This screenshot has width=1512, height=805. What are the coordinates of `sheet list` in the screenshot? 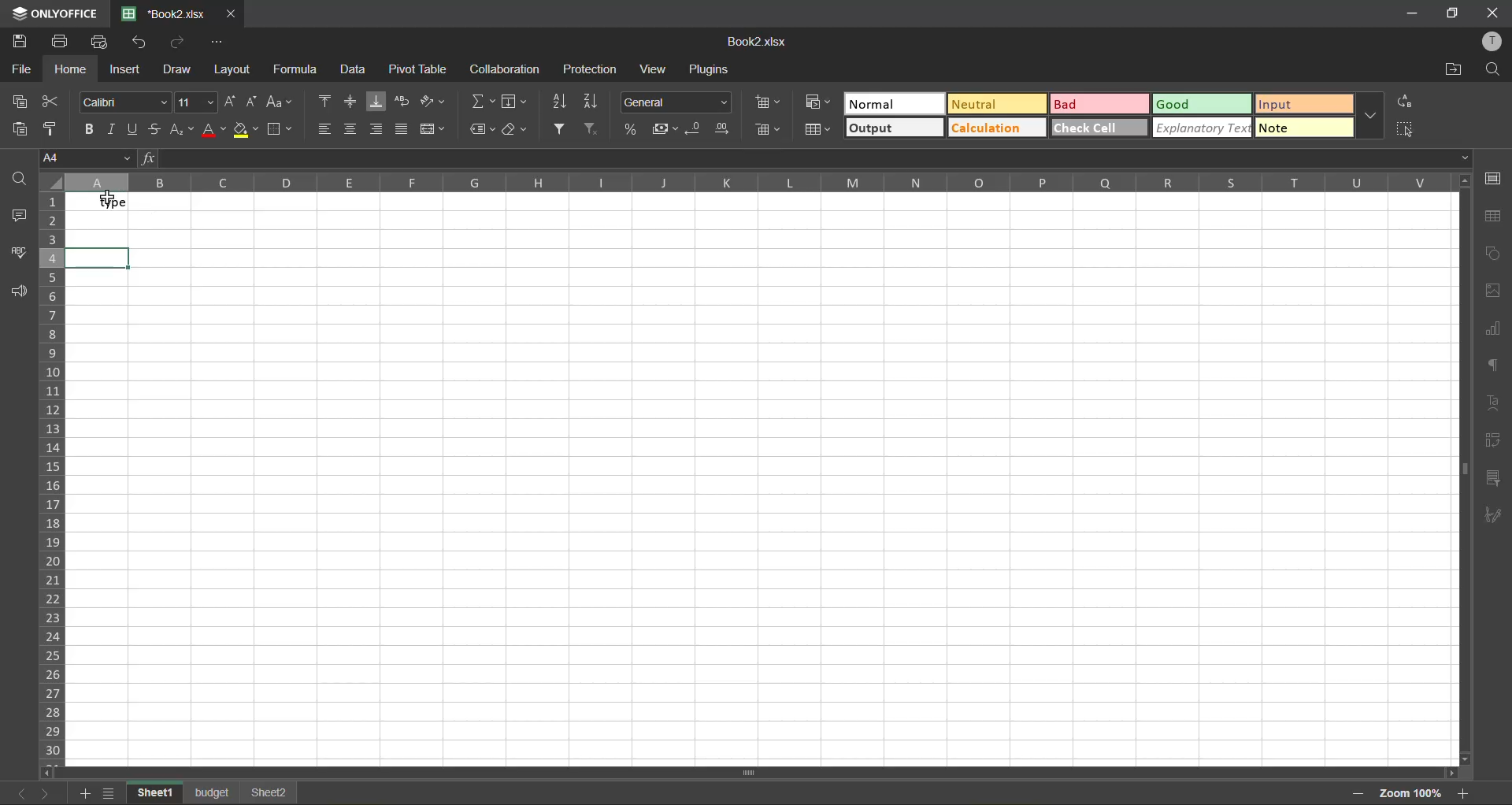 It's located at (113, 792).